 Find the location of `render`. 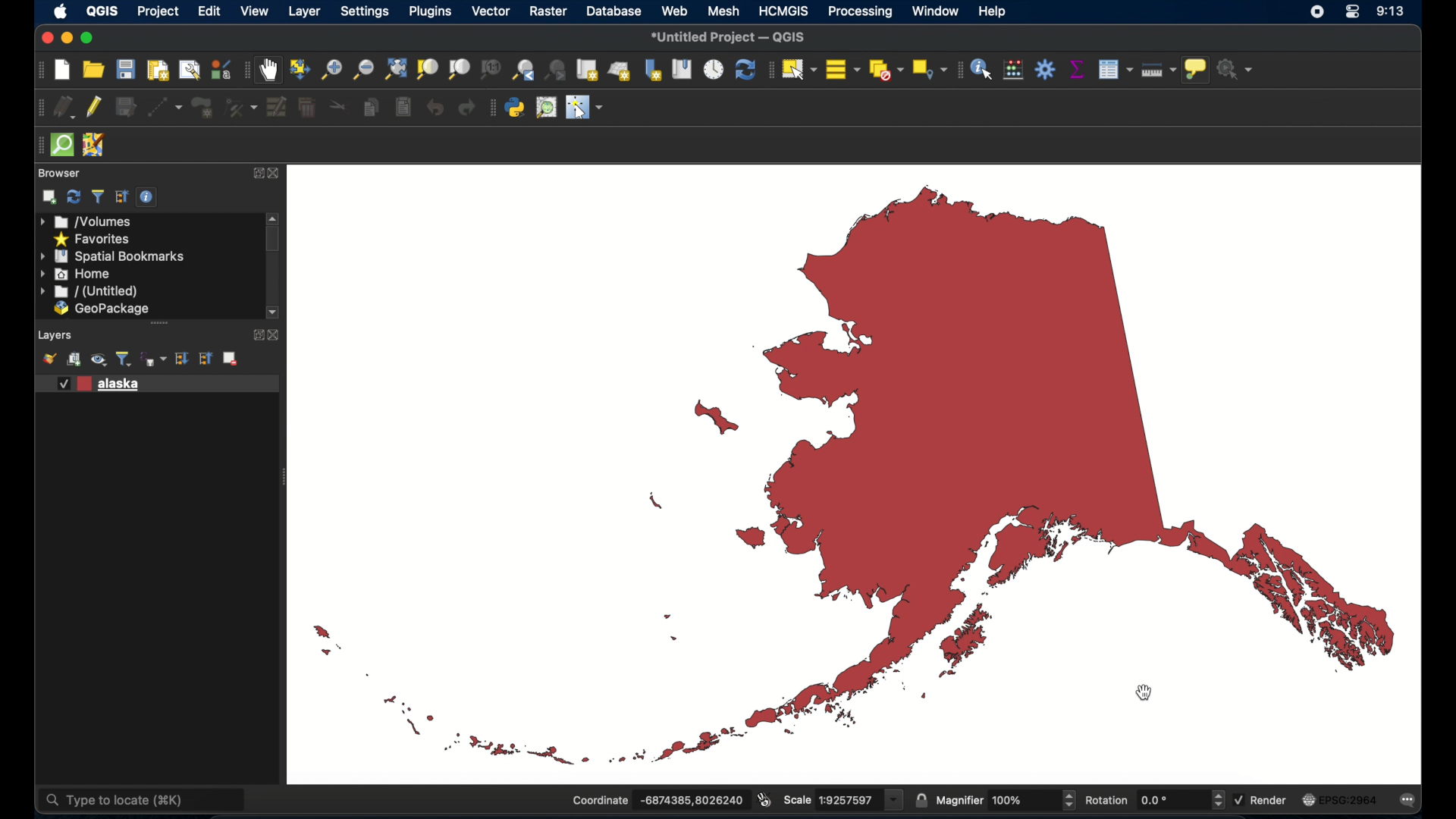

render is located at coordinates (1261, 799).